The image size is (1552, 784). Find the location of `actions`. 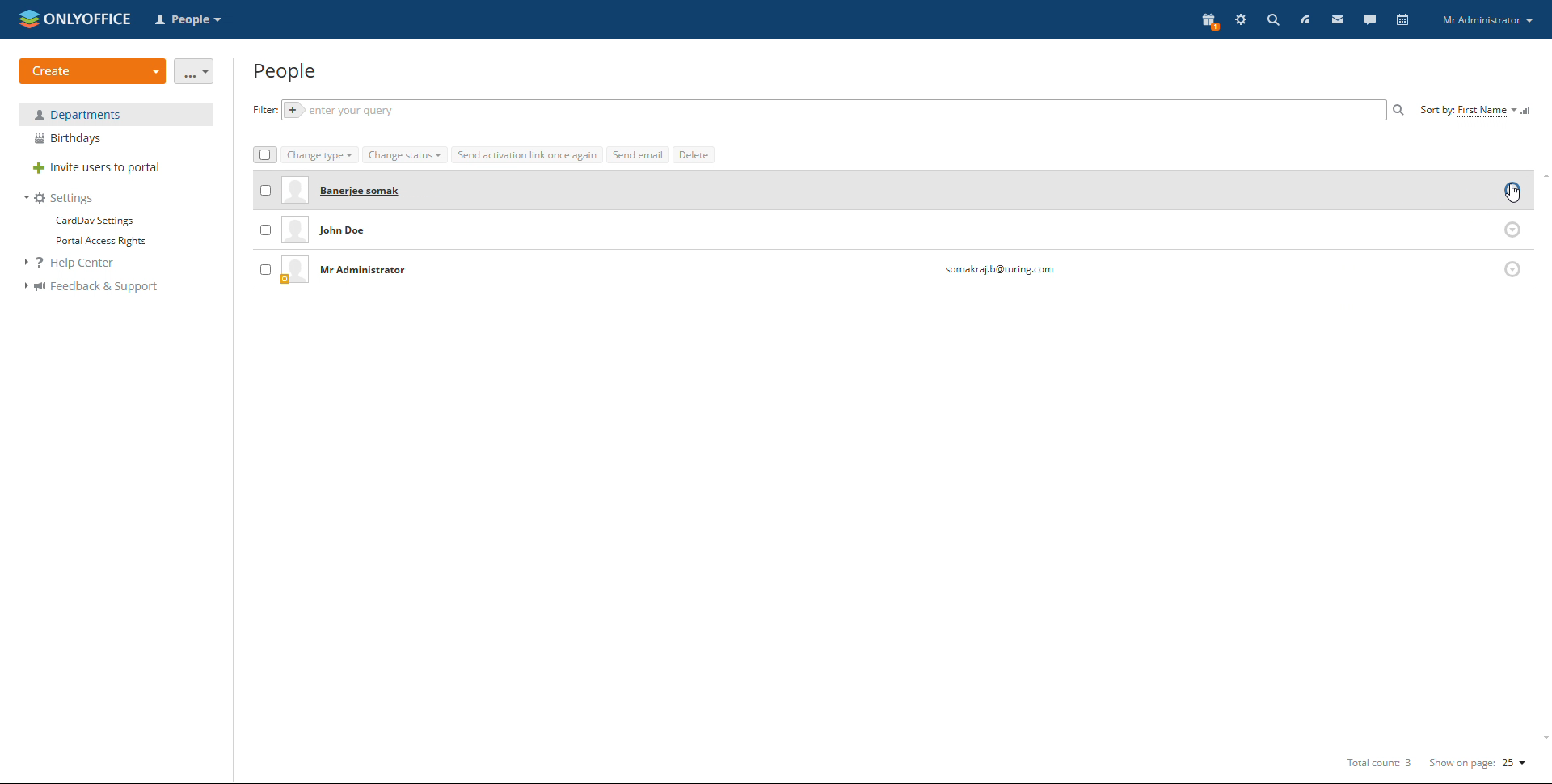

actions is located at coordinates (1512, 192).